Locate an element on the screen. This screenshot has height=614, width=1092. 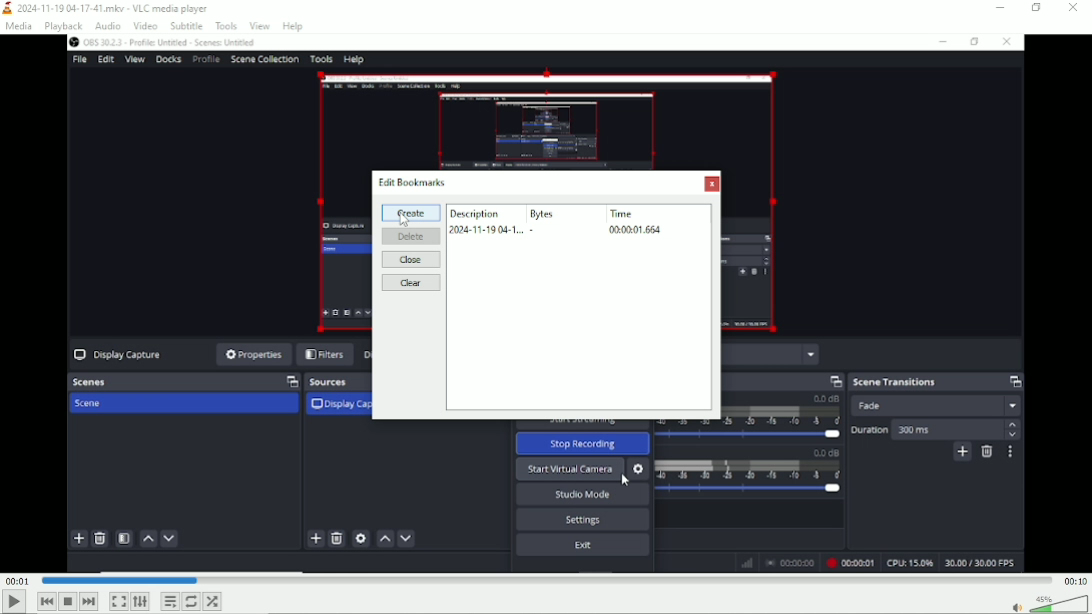
00:10 is located at coordinates (1076, 580).